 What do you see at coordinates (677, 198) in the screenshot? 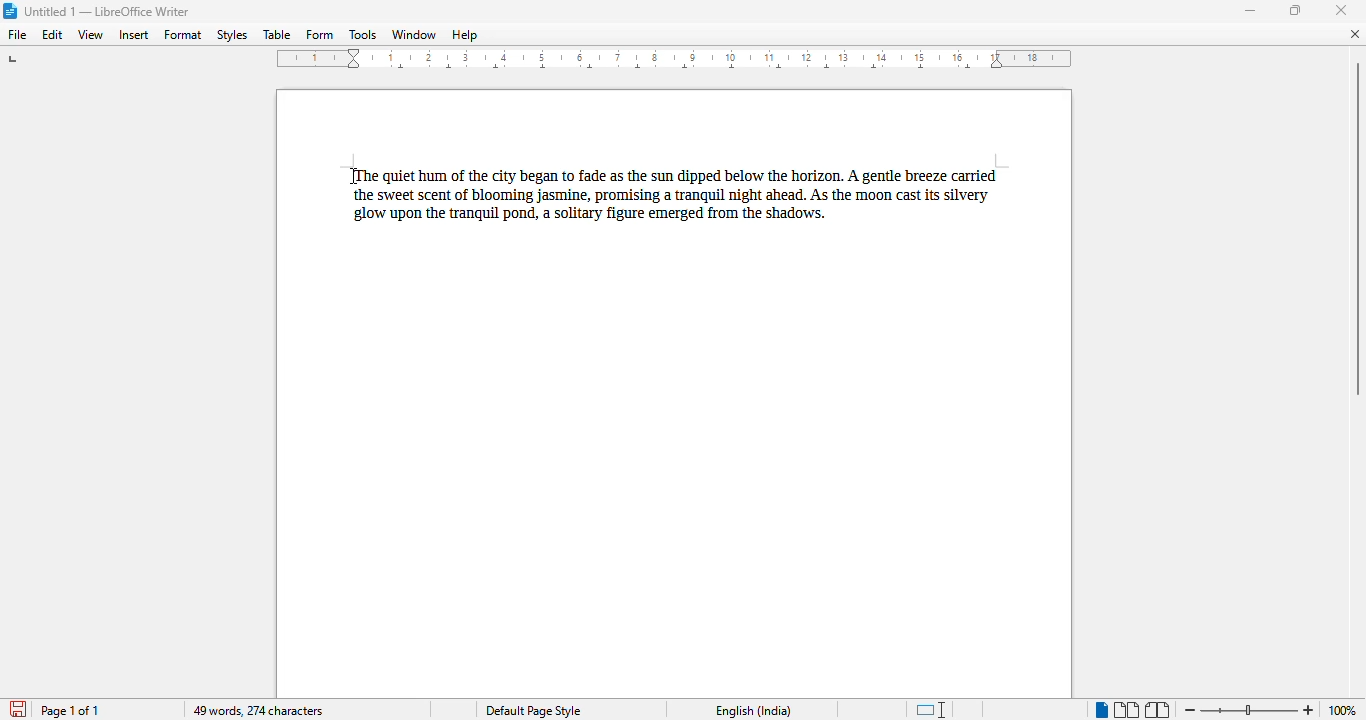
I see `paragraph` at bounding box center [677, 198].